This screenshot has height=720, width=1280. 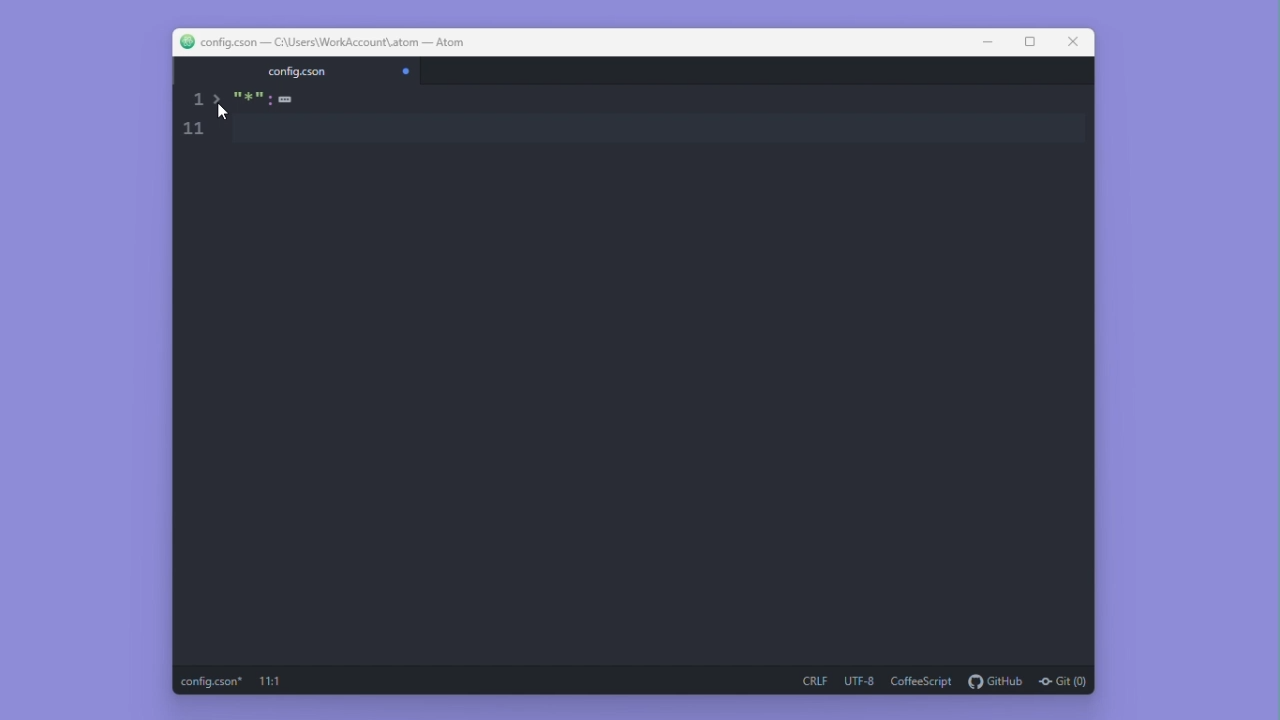 What do you see at coordinates (212, 682) in the screenshot?
I see `config.cson` at bounding box center [212, 682].